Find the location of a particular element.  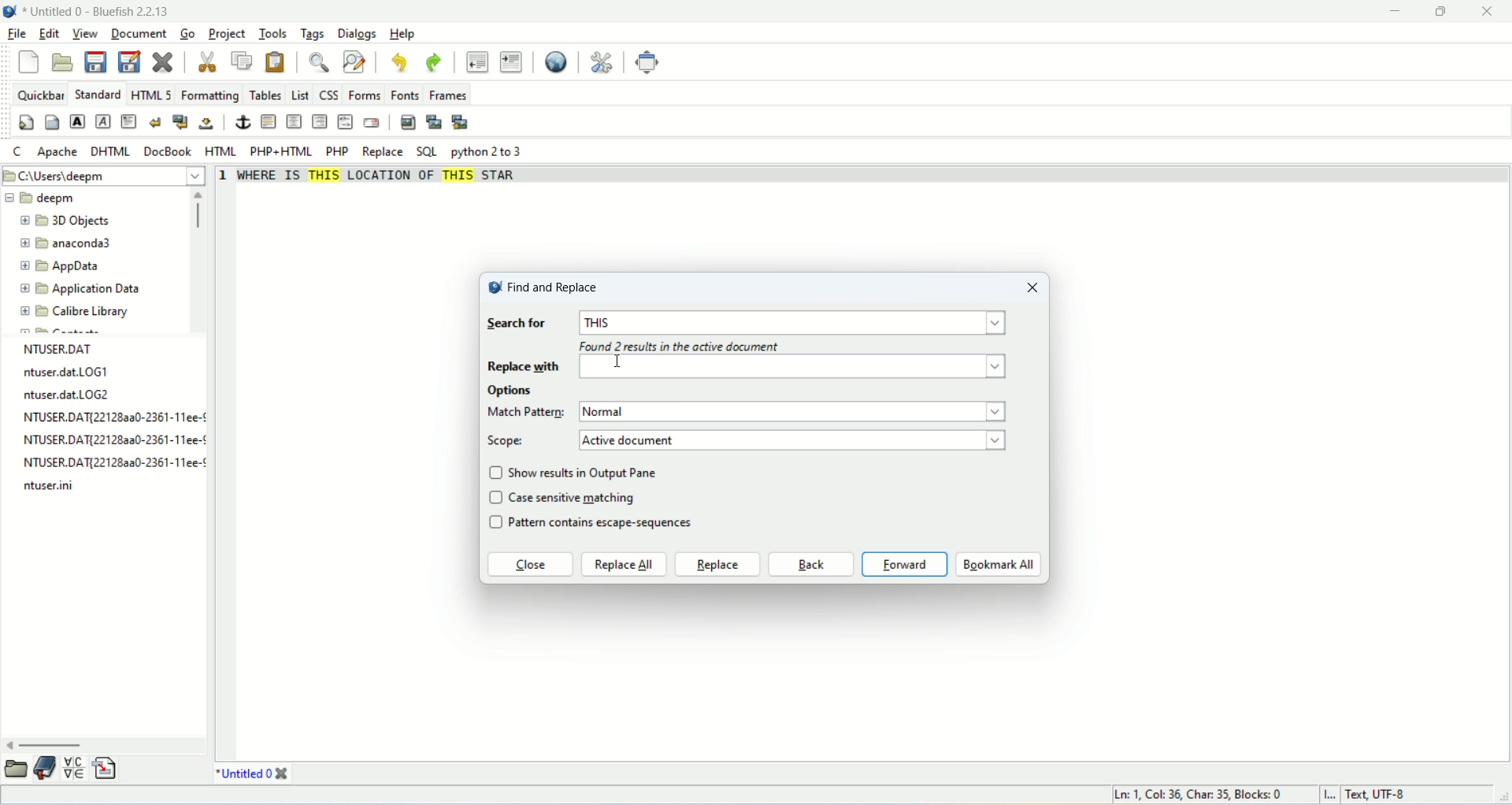

file is located at coordinates (15, 33).